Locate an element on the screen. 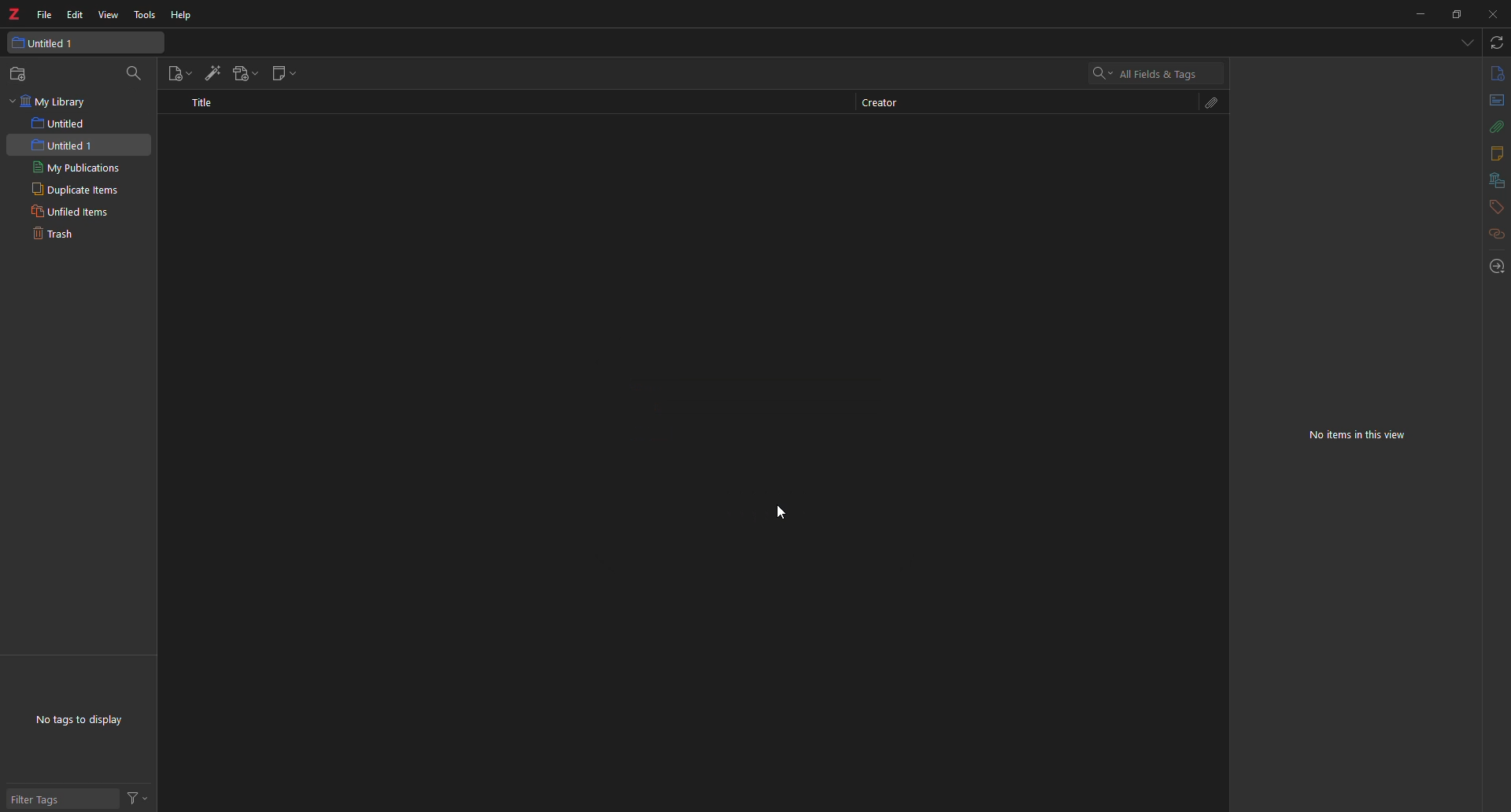 The image size is (1511, 812). help is located at coordinates (185, 13).